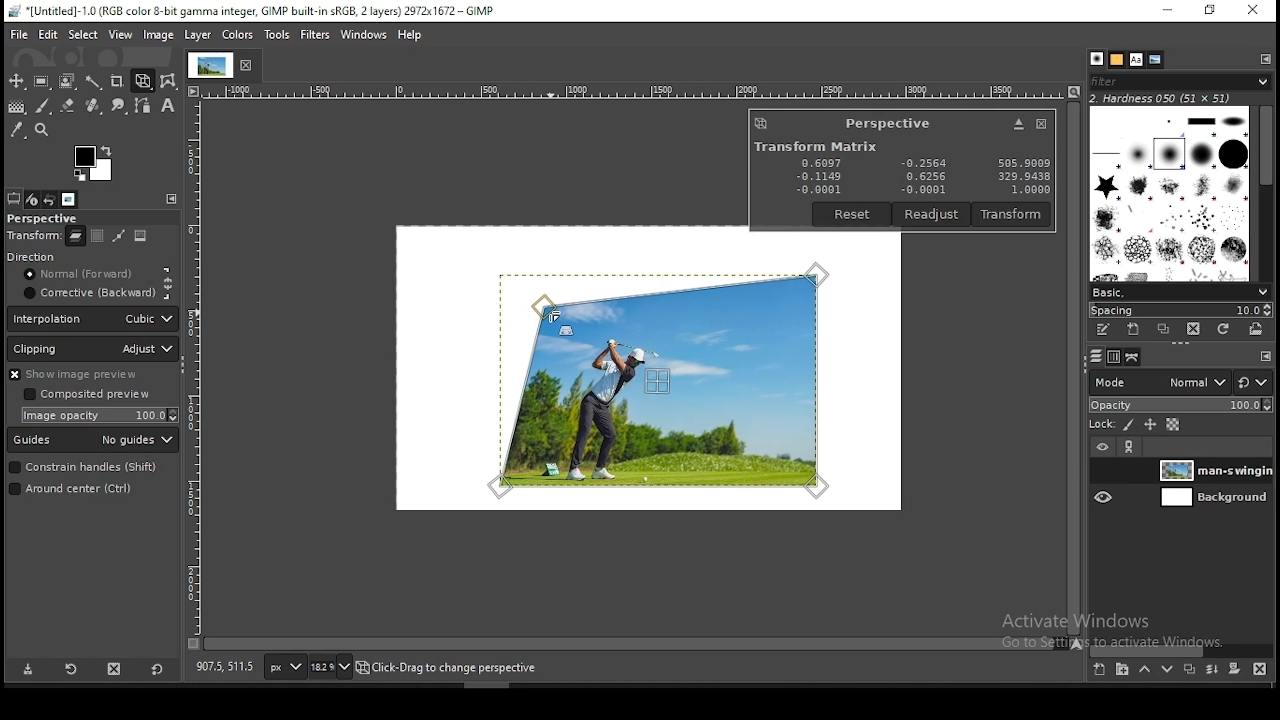  Describe the element at coordinates (33, 200) in the screenshot. I see `device status` at that location.